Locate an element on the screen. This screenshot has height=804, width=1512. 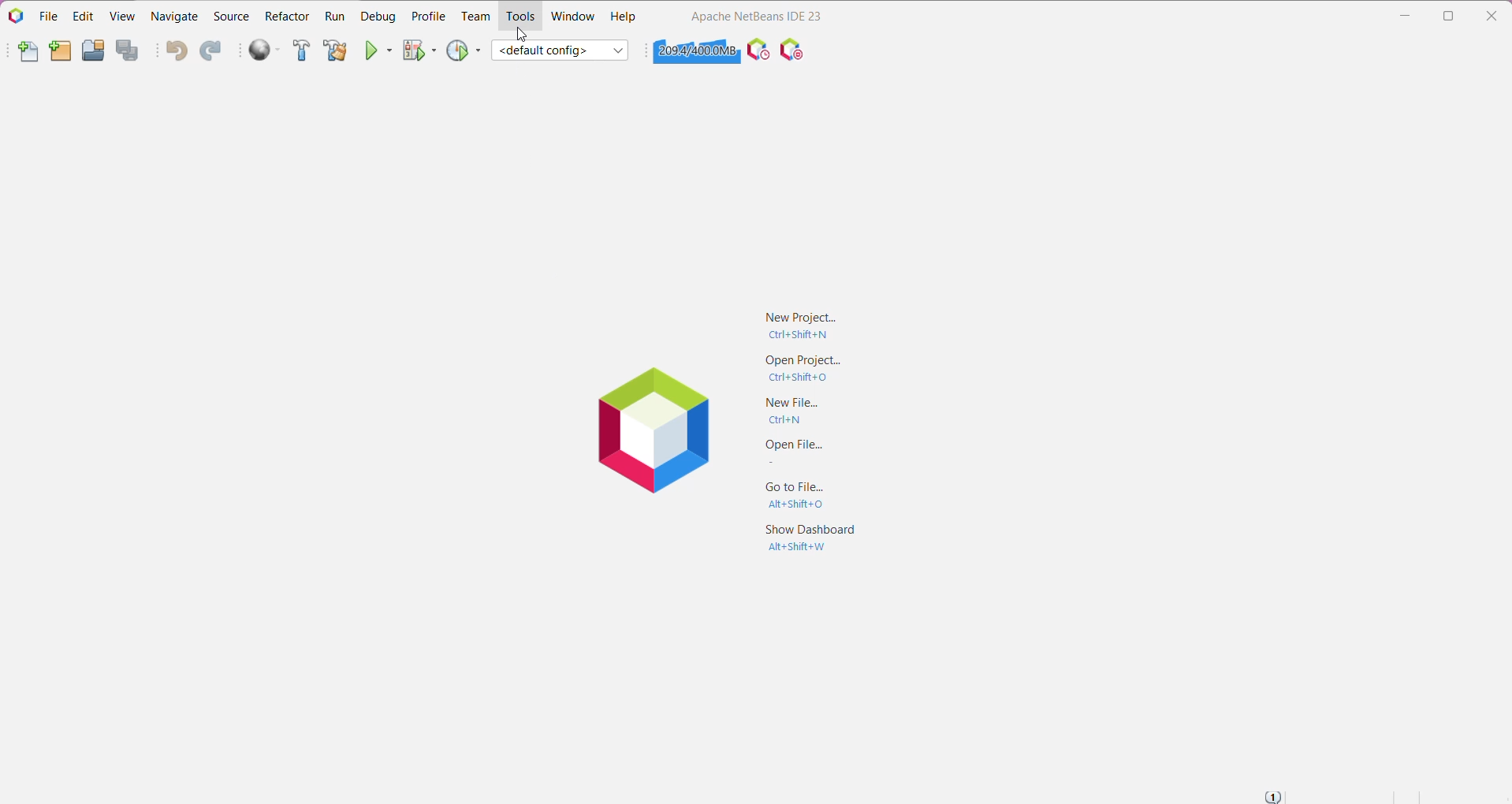
Undo is located at coordinates (176, 52).